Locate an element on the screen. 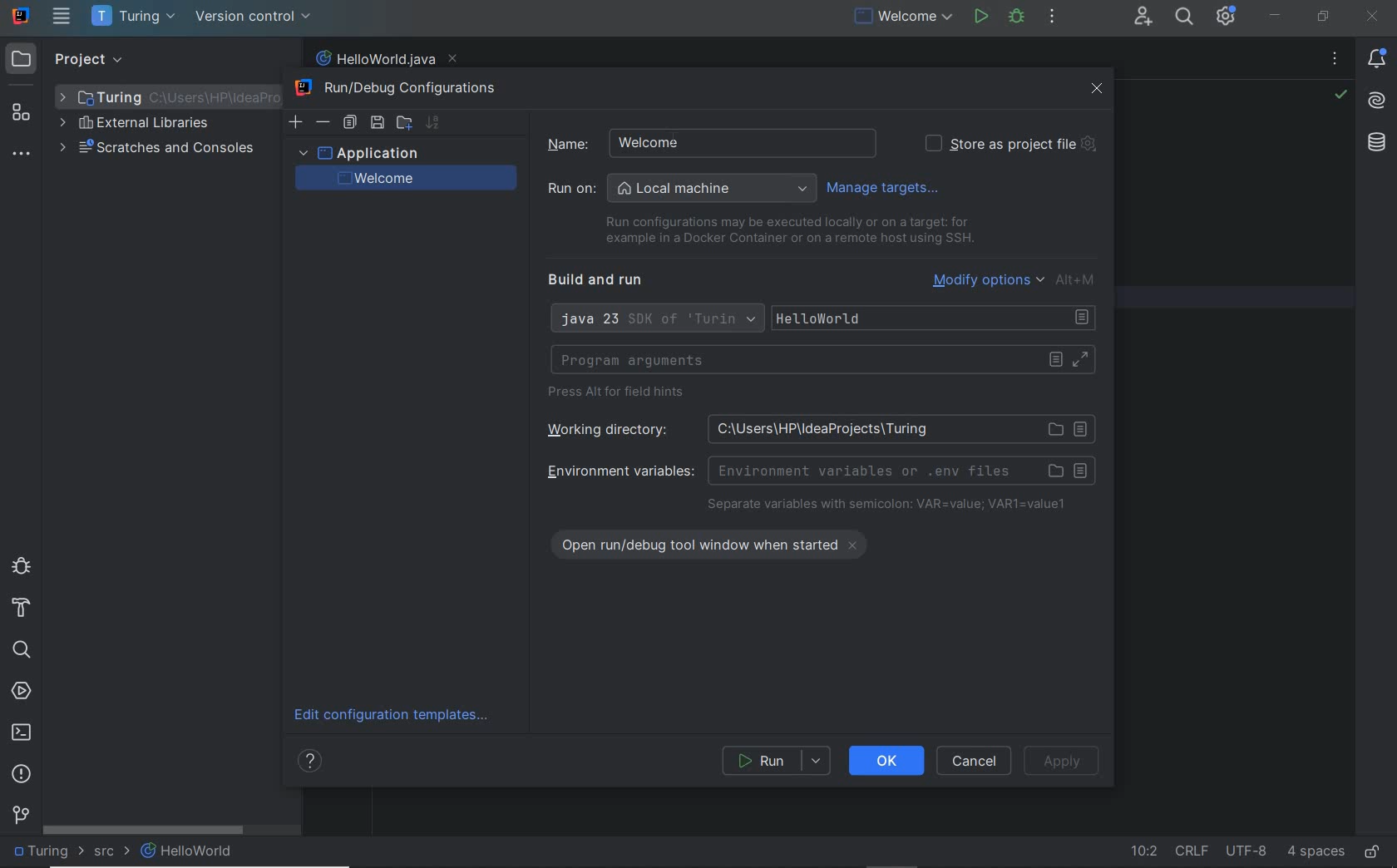 This screenshot has height=868, width=1397. structure is located at coordinates (22, 113).